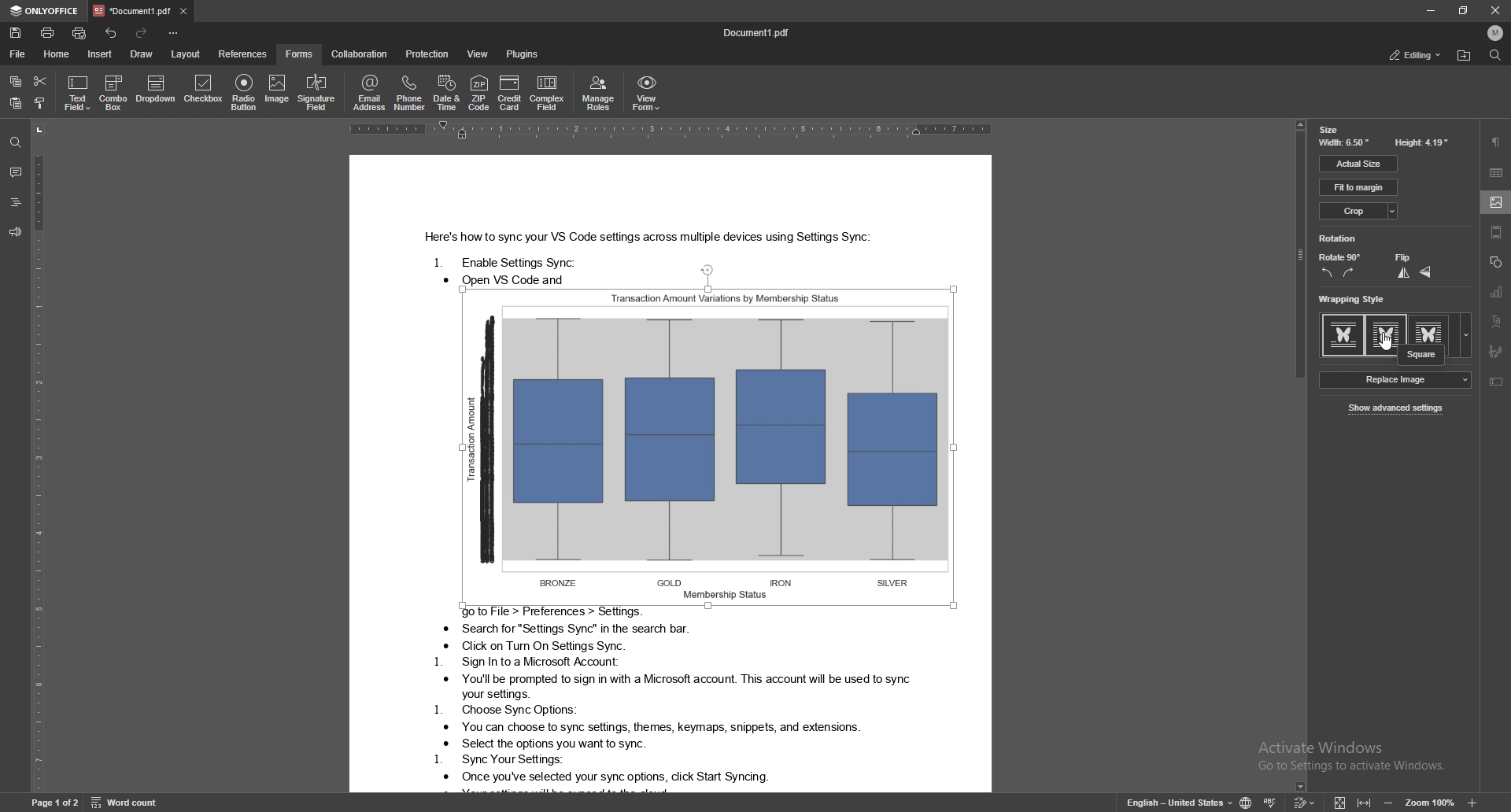 The width and height of the screenshot is (1511, 812). Describe the element at coordinates (113, 33) in the screenshot. I see `undo` at that location.